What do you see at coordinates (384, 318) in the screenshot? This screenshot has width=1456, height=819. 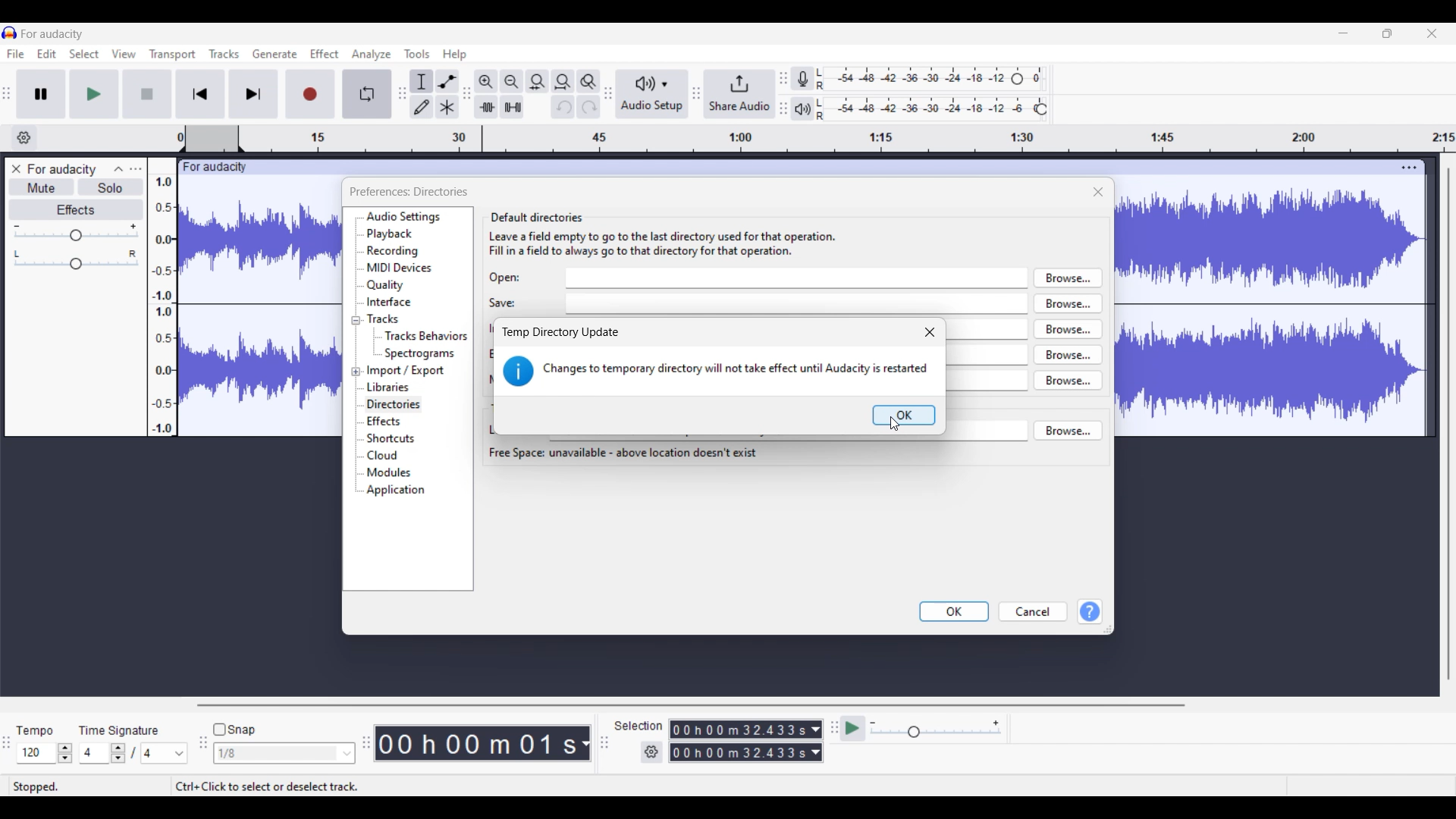 I see `Tracks` at bounding box center [384, 318].